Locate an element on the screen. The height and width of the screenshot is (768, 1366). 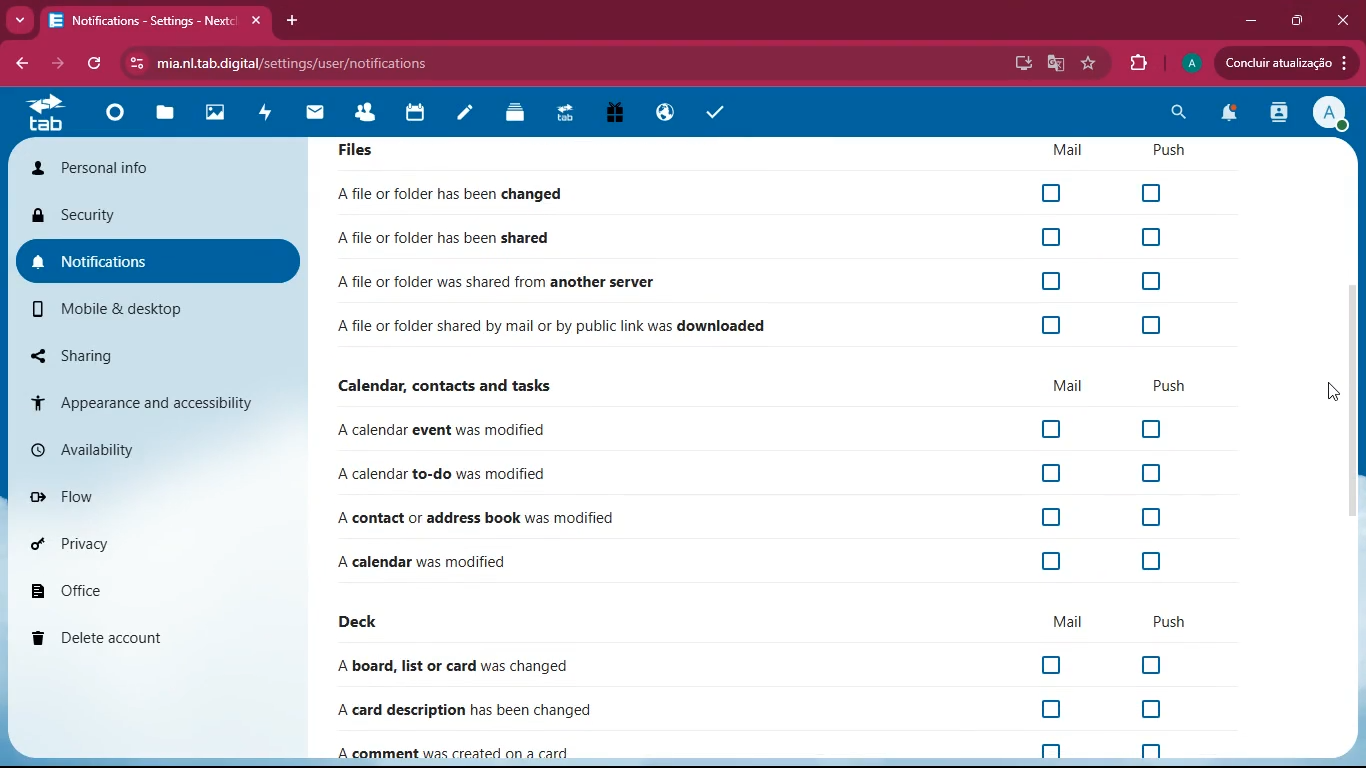
off is located at coordinates (1150, 752).